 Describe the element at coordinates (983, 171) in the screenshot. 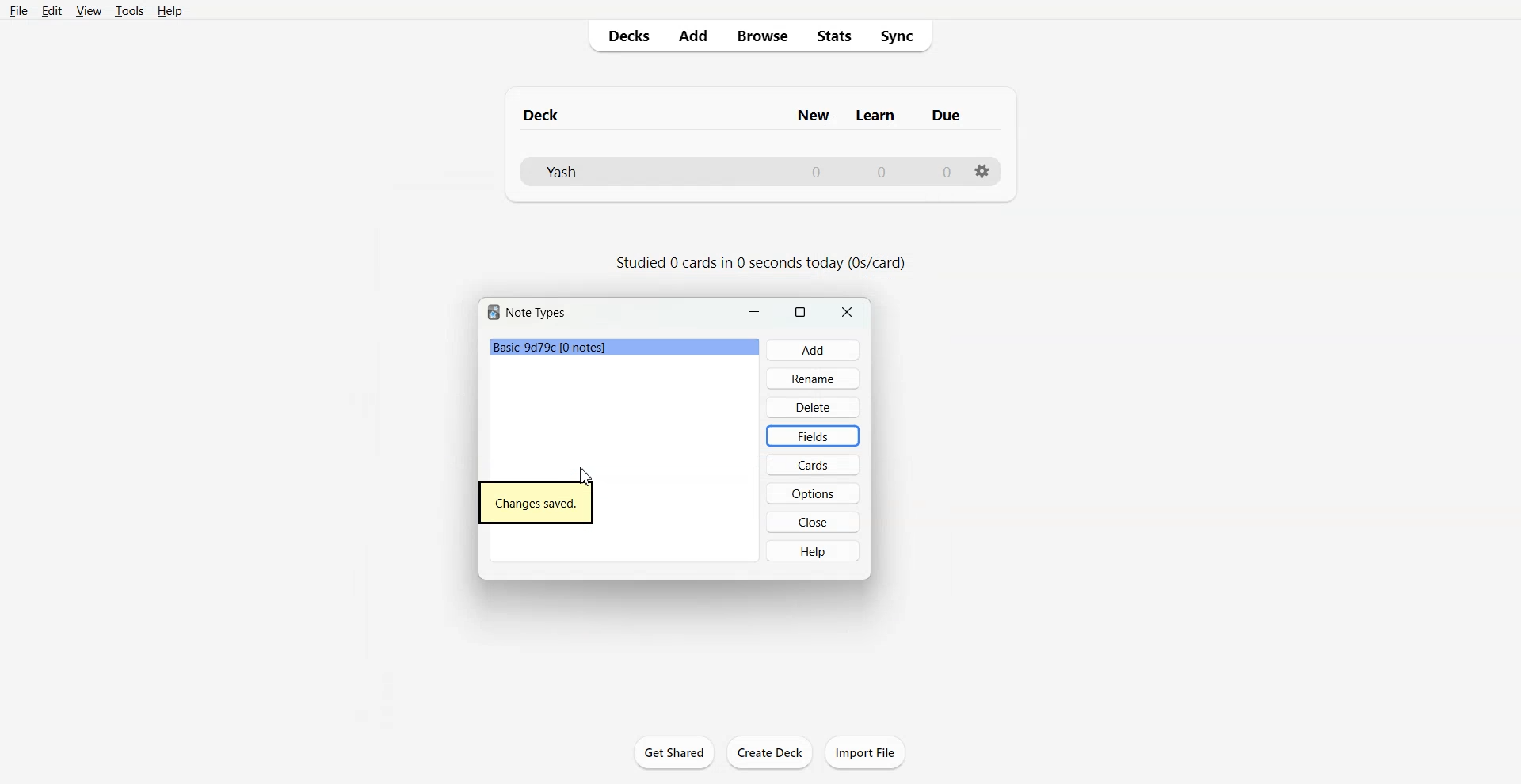

I see `Settings` at that location.